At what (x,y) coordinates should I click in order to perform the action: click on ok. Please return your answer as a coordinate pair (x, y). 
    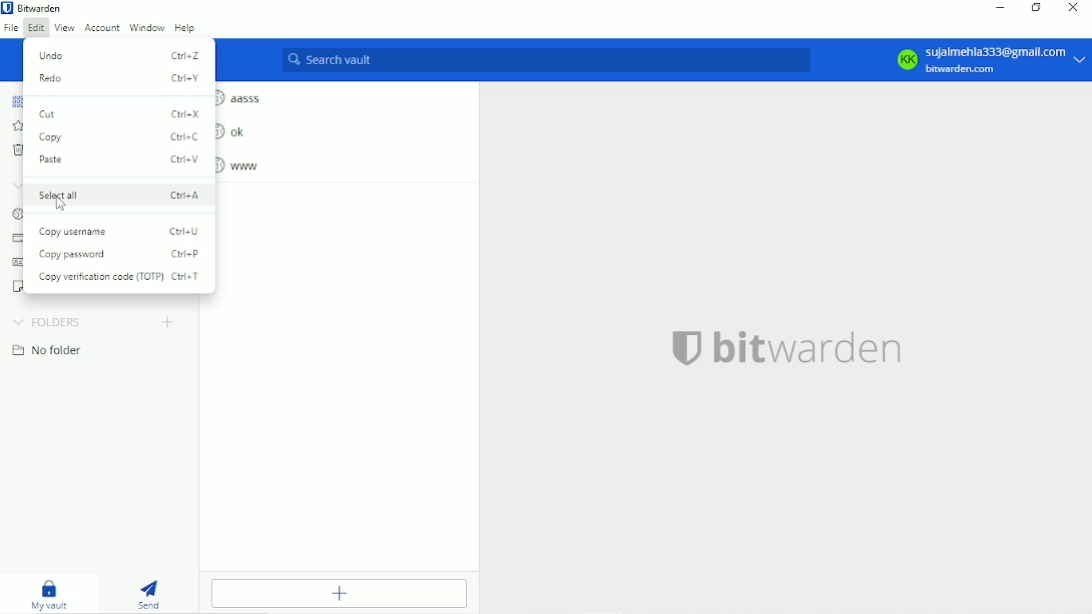
    Looking at the image, I should click on (234, 131).